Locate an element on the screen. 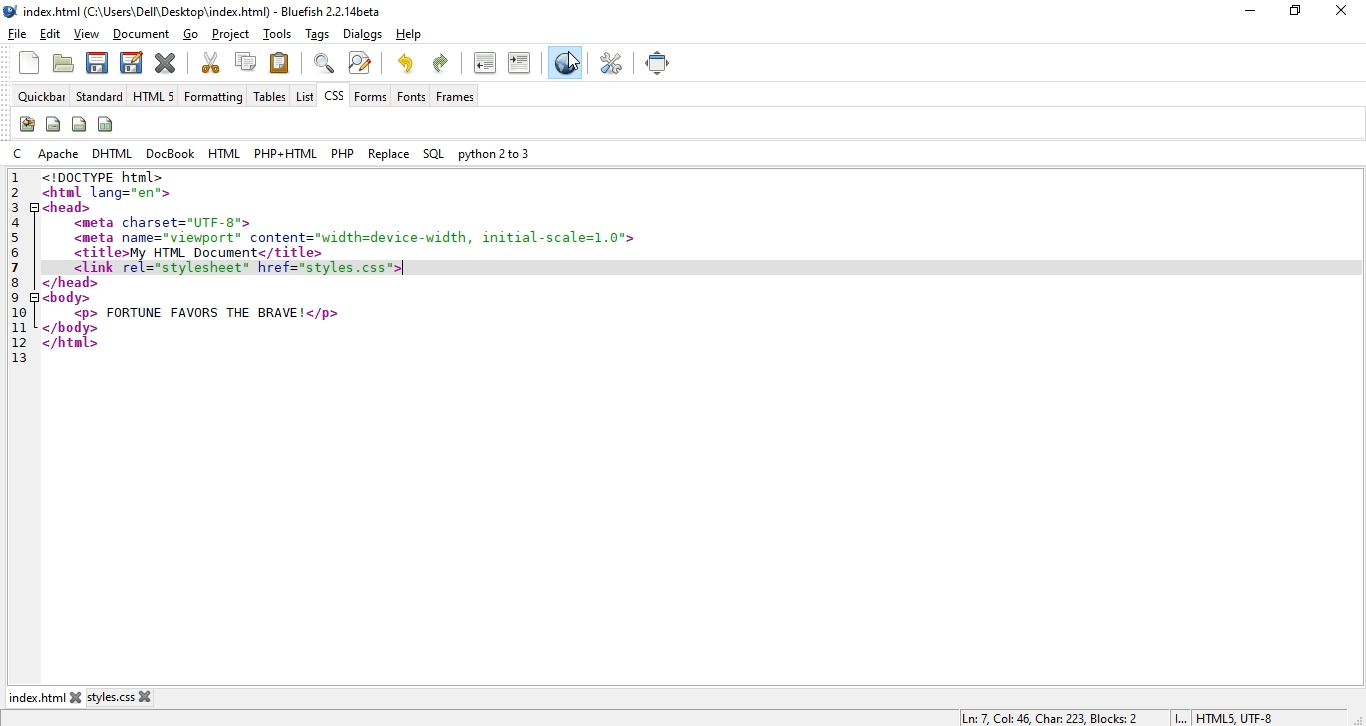 The width and height of the screenshot is (1366, 726). close current file is located at coordinates (167, 62).